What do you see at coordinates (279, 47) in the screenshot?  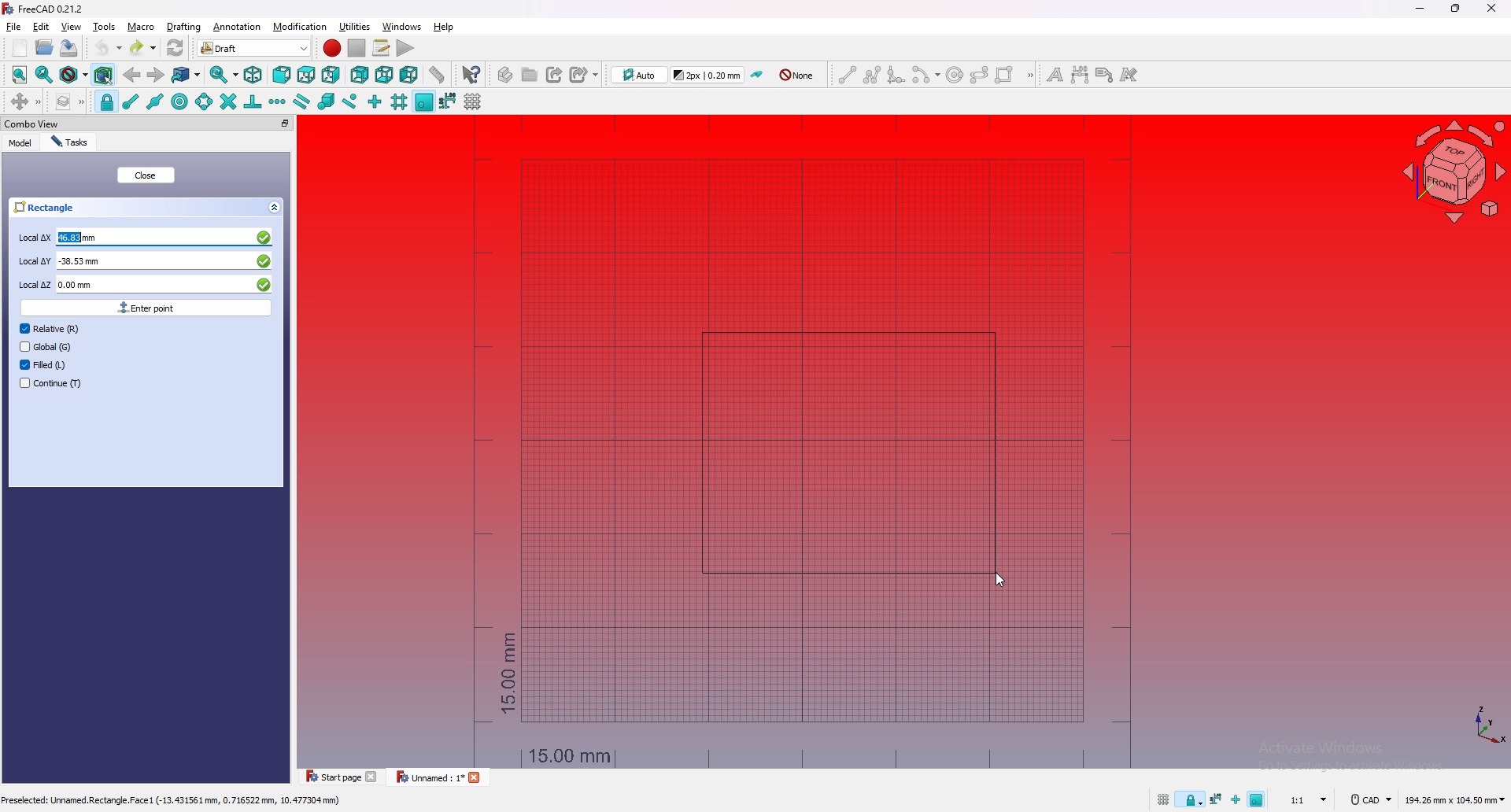 I see `switch between workbenches` at bounding box center [279, 47].